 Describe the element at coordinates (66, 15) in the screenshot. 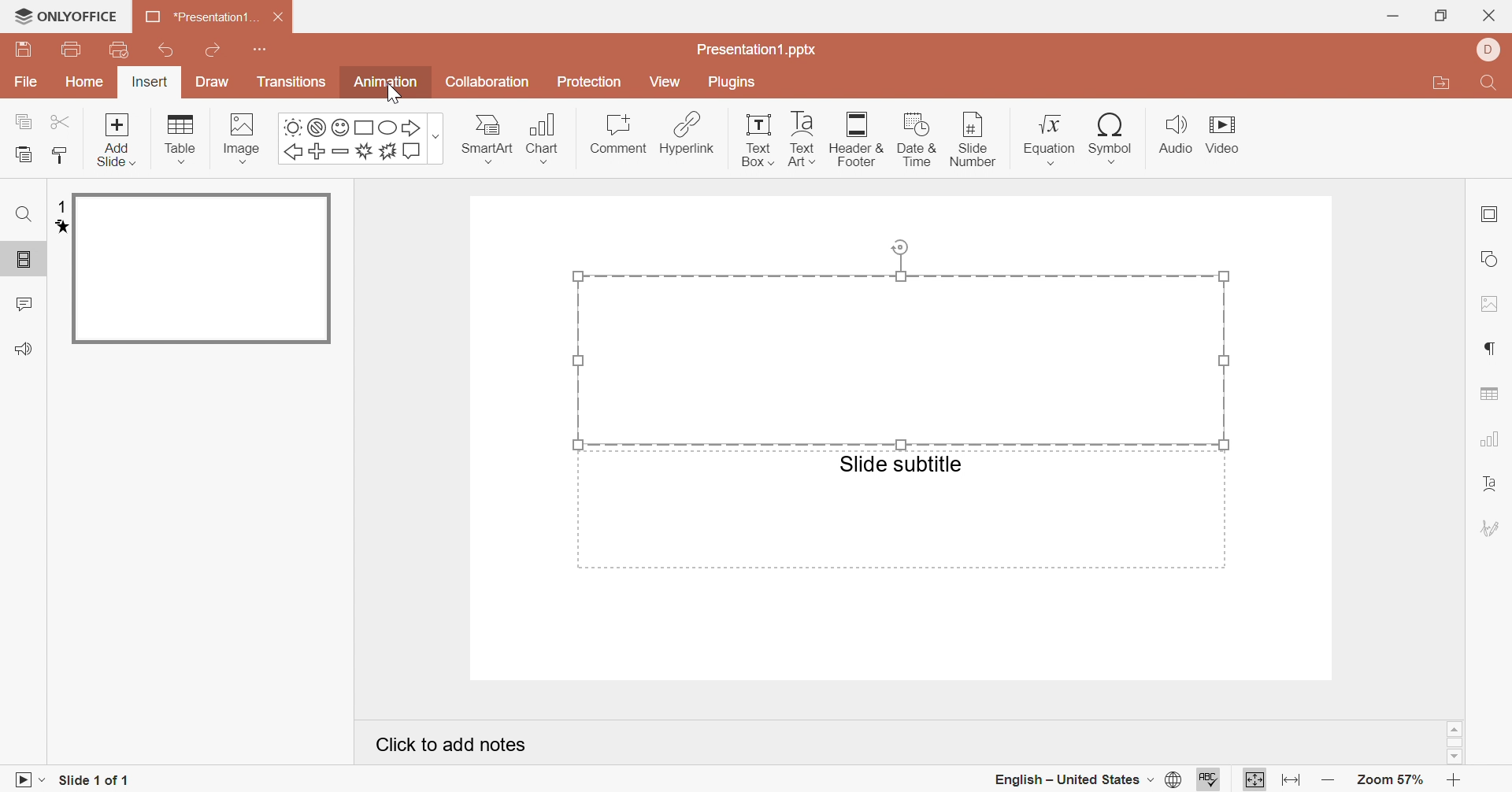

I see `ONLYOFFICE` at that location.